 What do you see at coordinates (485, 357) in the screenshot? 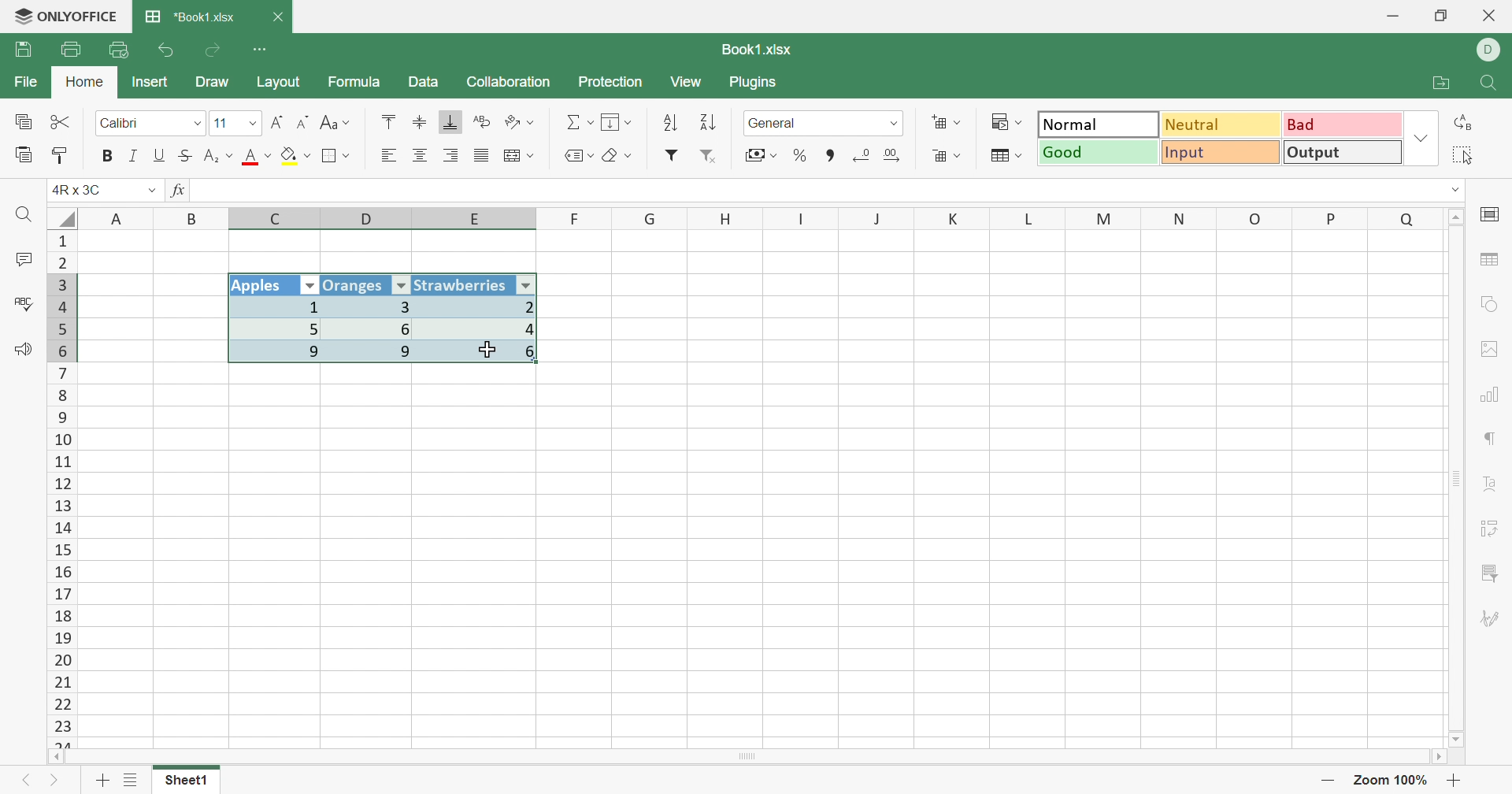
I see `6` at bounding box center [485, 357].